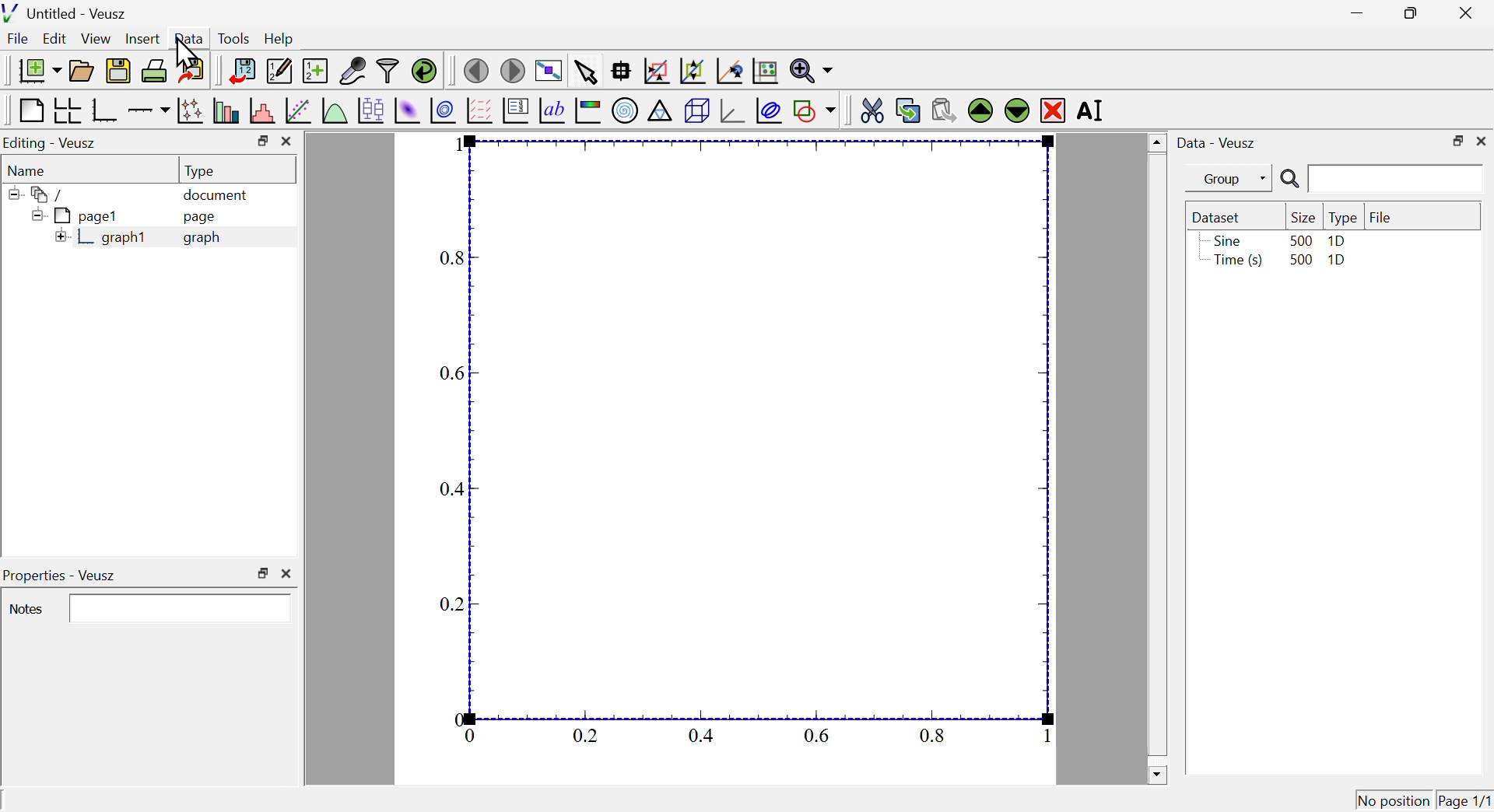  What do you see at coordinates (935, 735) in the screenshot?
I see `0.8` at bounding box center [935, 735].